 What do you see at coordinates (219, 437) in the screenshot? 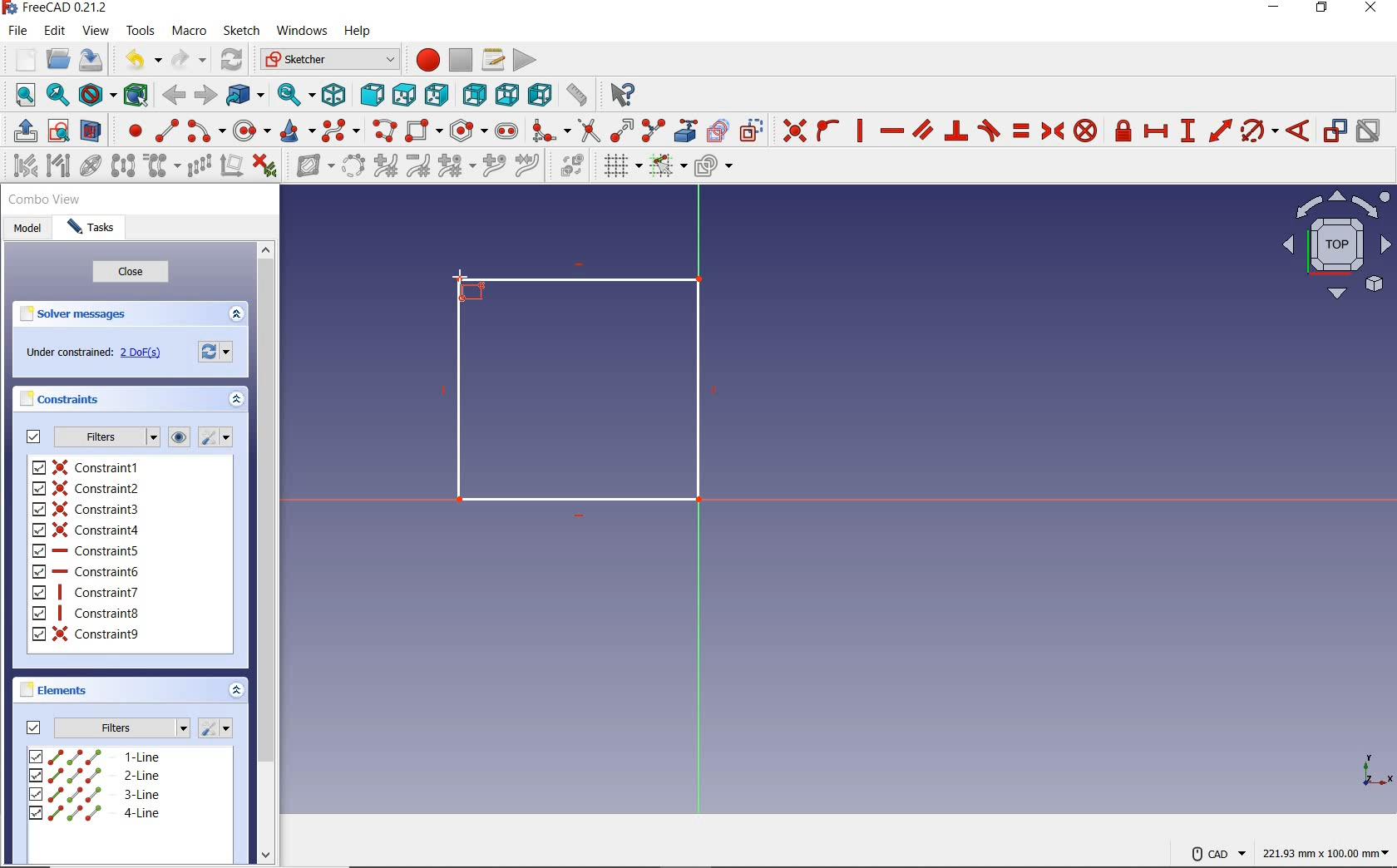
I see `settings` at bounding box center [219, 437].